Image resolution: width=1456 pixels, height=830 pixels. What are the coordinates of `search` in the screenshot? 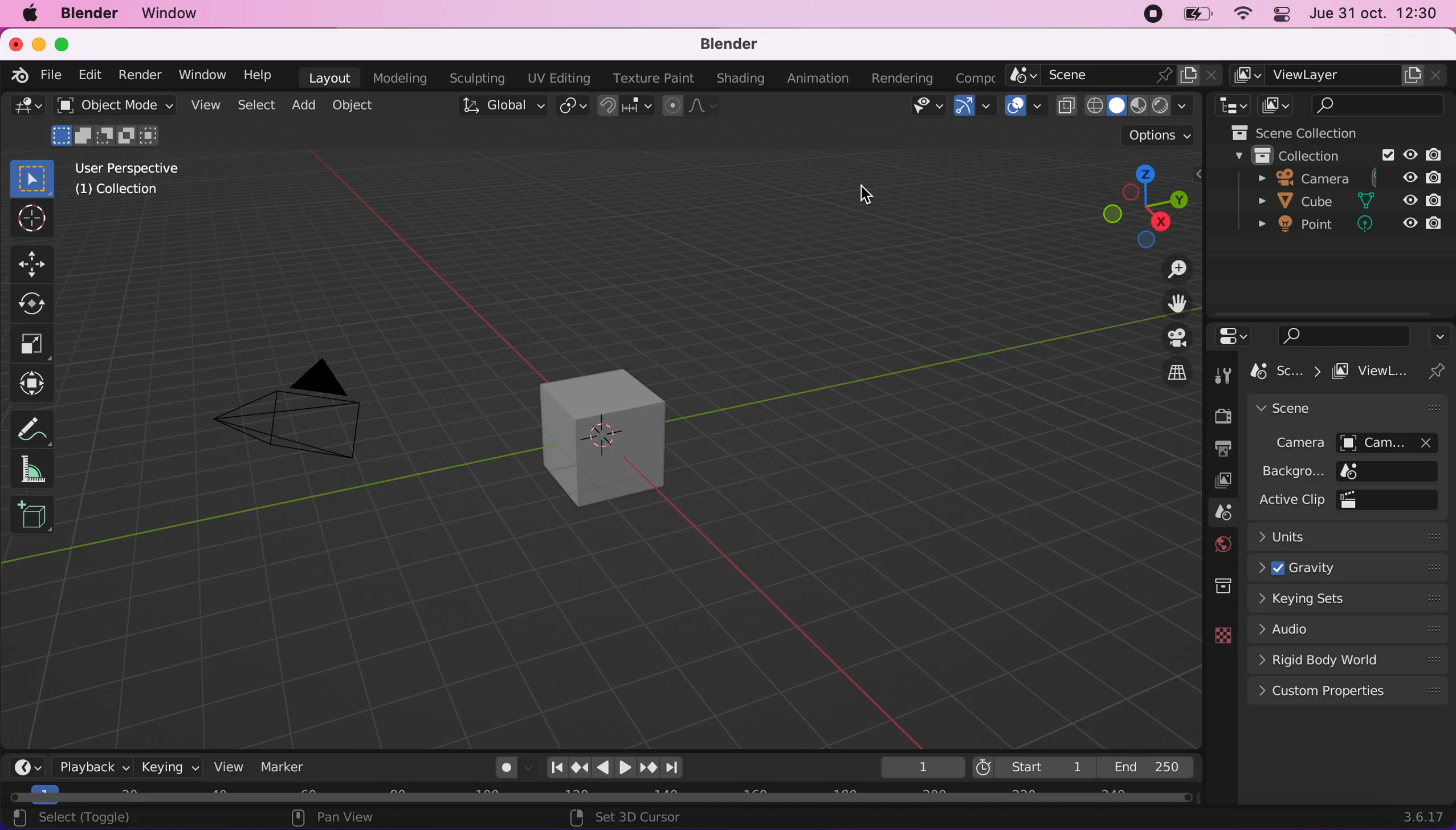 It's located at (1338, 335).